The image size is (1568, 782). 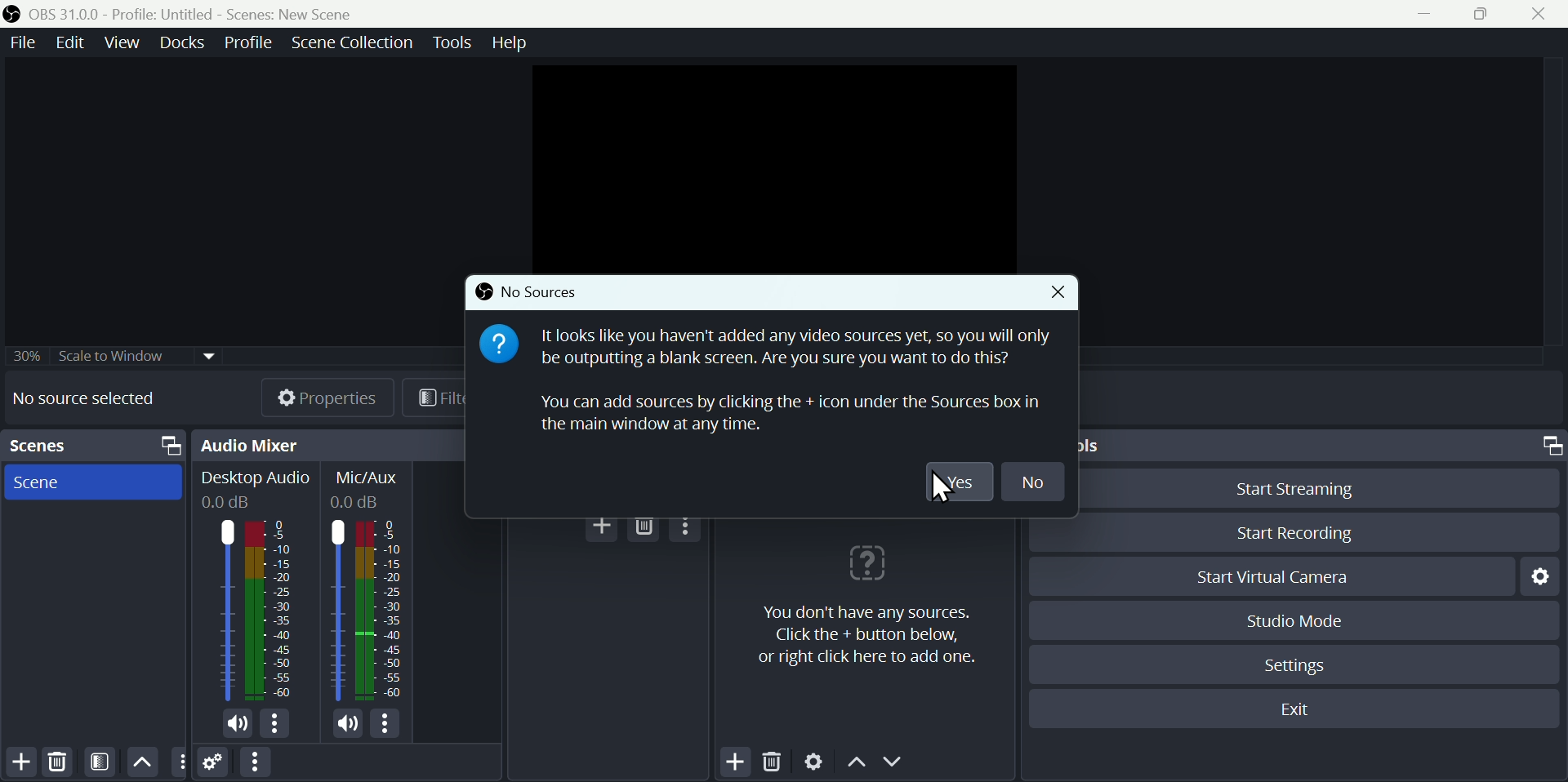 I want to click on Add, so click(x=603, y=527).